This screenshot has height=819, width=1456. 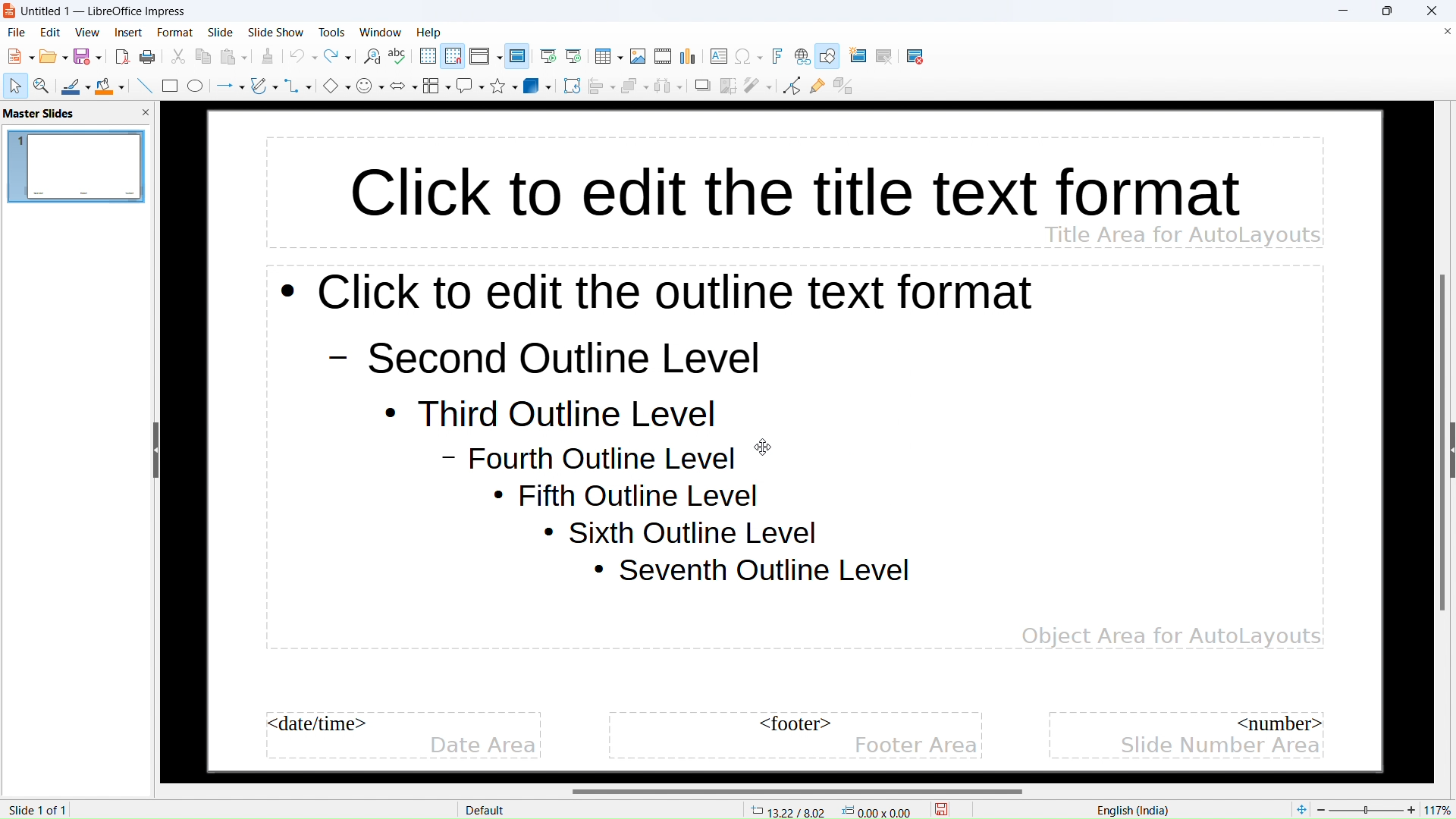 I want to click on align objects, so click(x=601, y=86).